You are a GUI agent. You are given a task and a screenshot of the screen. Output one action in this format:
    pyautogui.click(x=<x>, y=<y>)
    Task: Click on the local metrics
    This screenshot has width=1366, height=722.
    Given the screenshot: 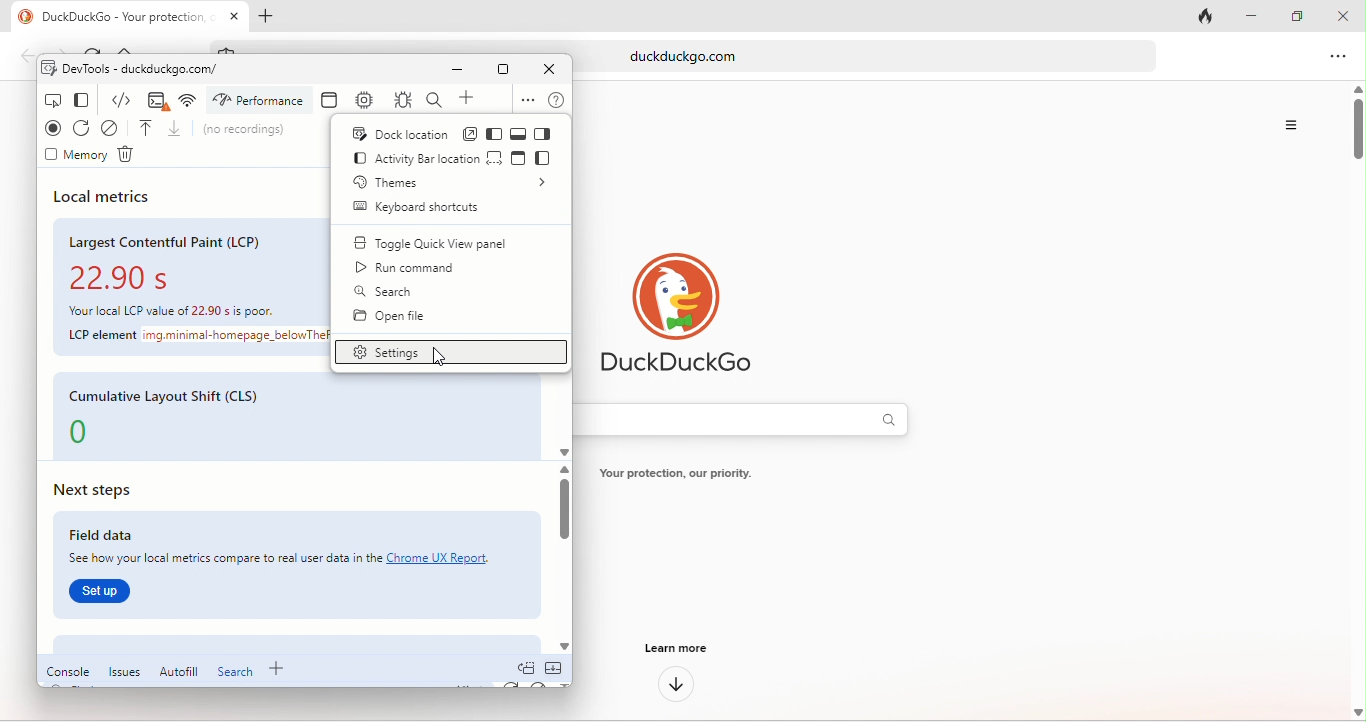 What is the action you would take?
    pyautogui.click(x=109, y=198)
    